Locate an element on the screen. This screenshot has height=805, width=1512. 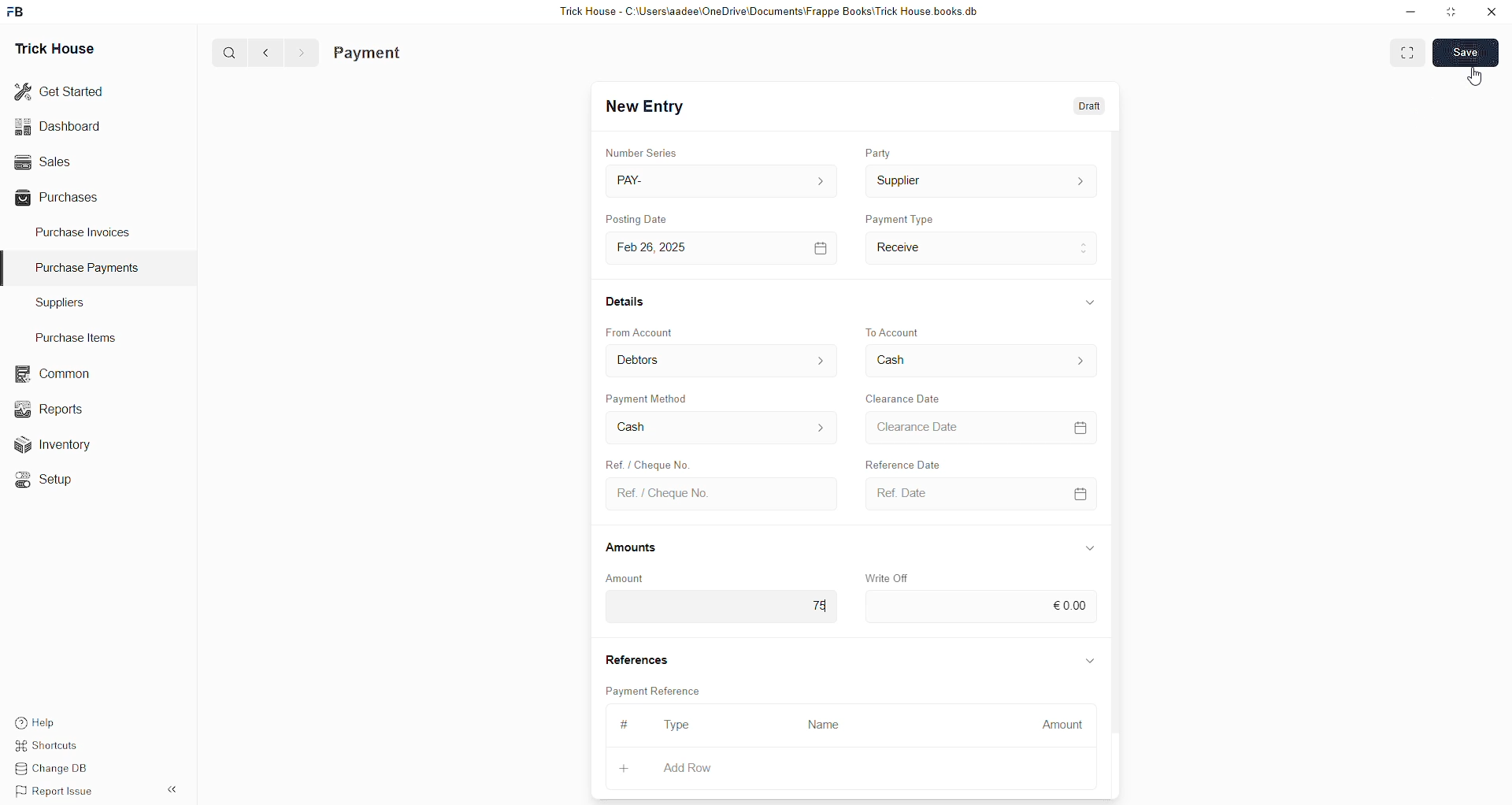
Payment Method is located at coordinates (648, 398).